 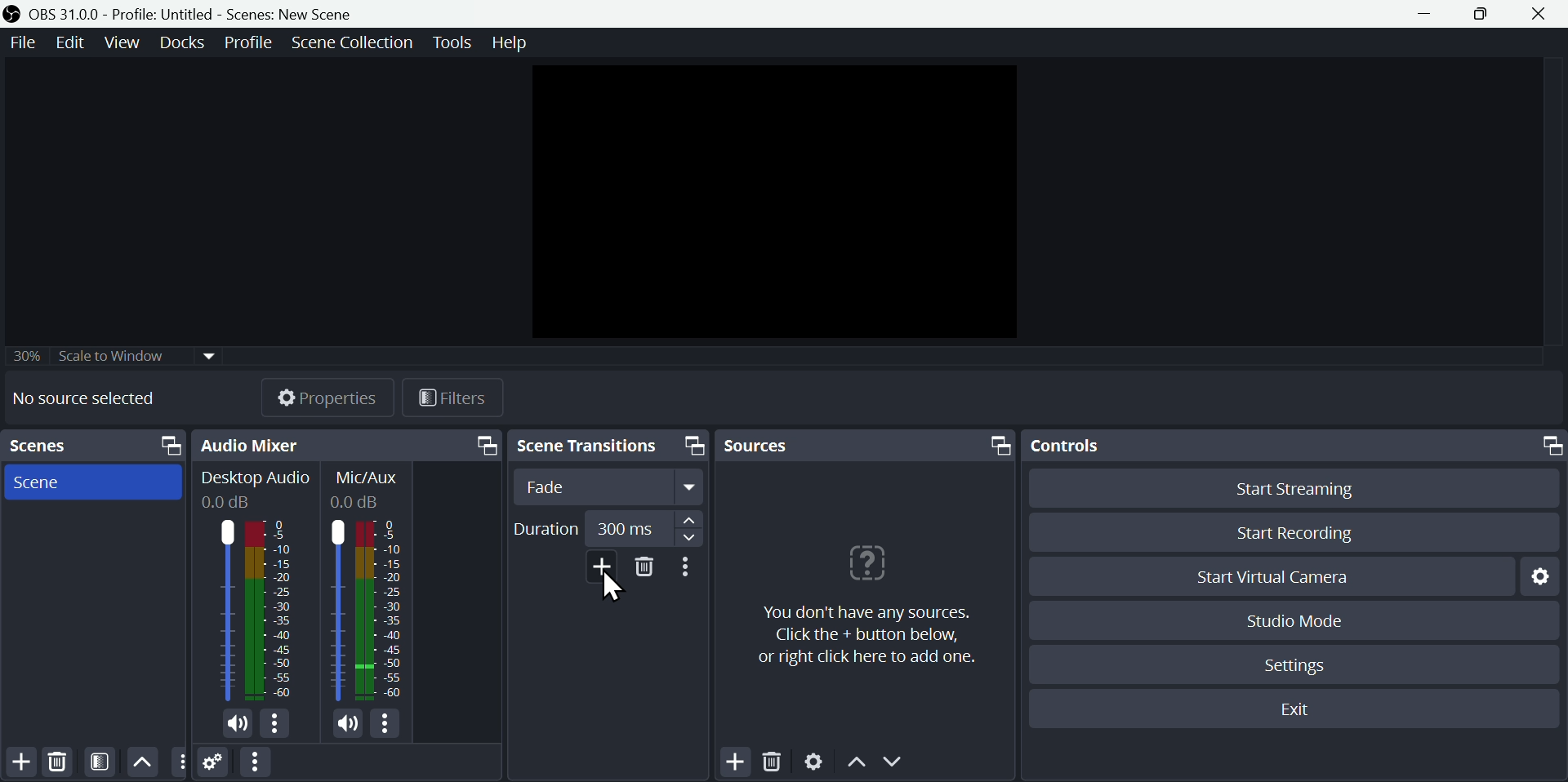 I want to click on , so click(x=351, y=41).